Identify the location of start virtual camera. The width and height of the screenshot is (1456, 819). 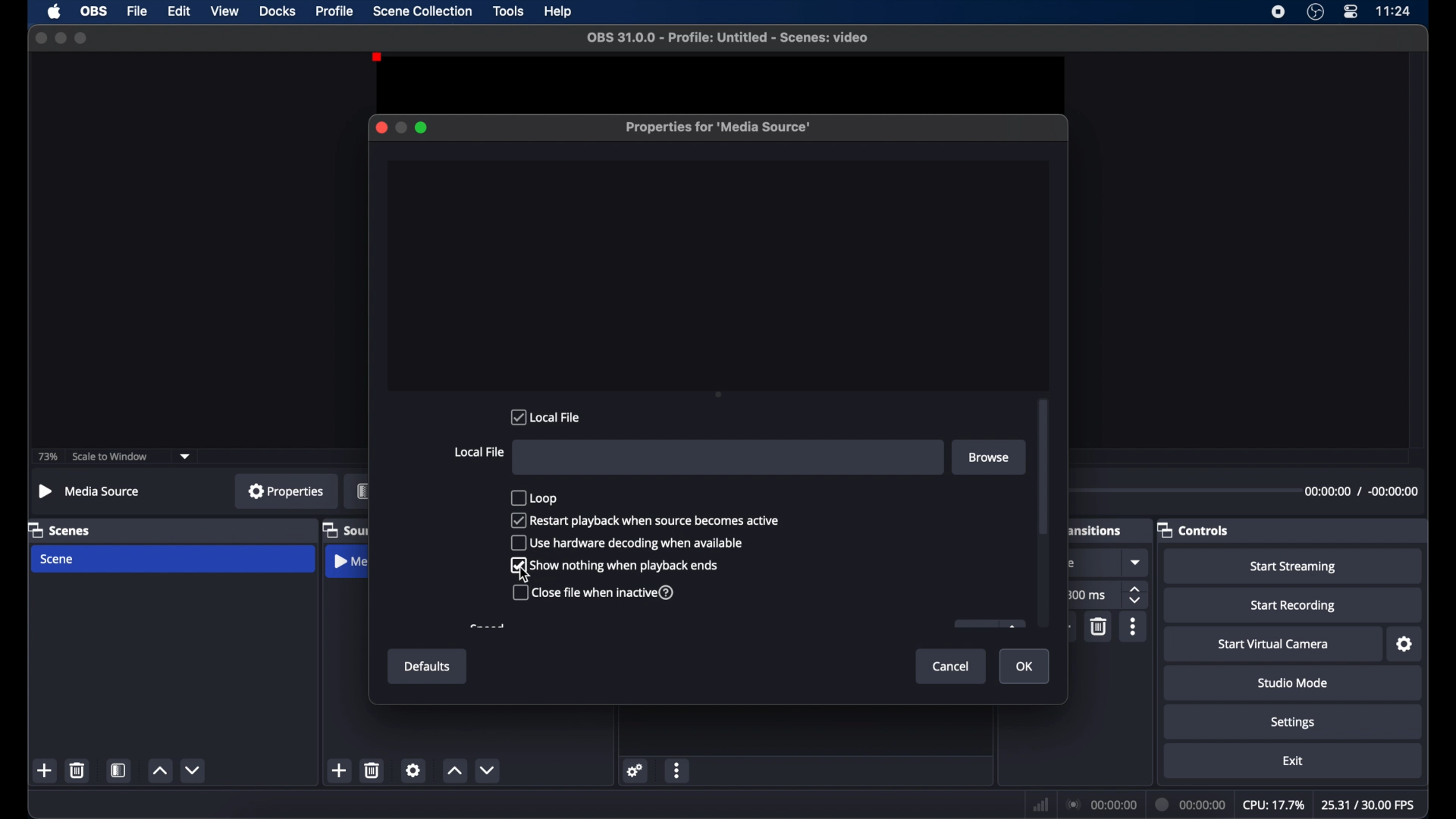
(1272, 645).